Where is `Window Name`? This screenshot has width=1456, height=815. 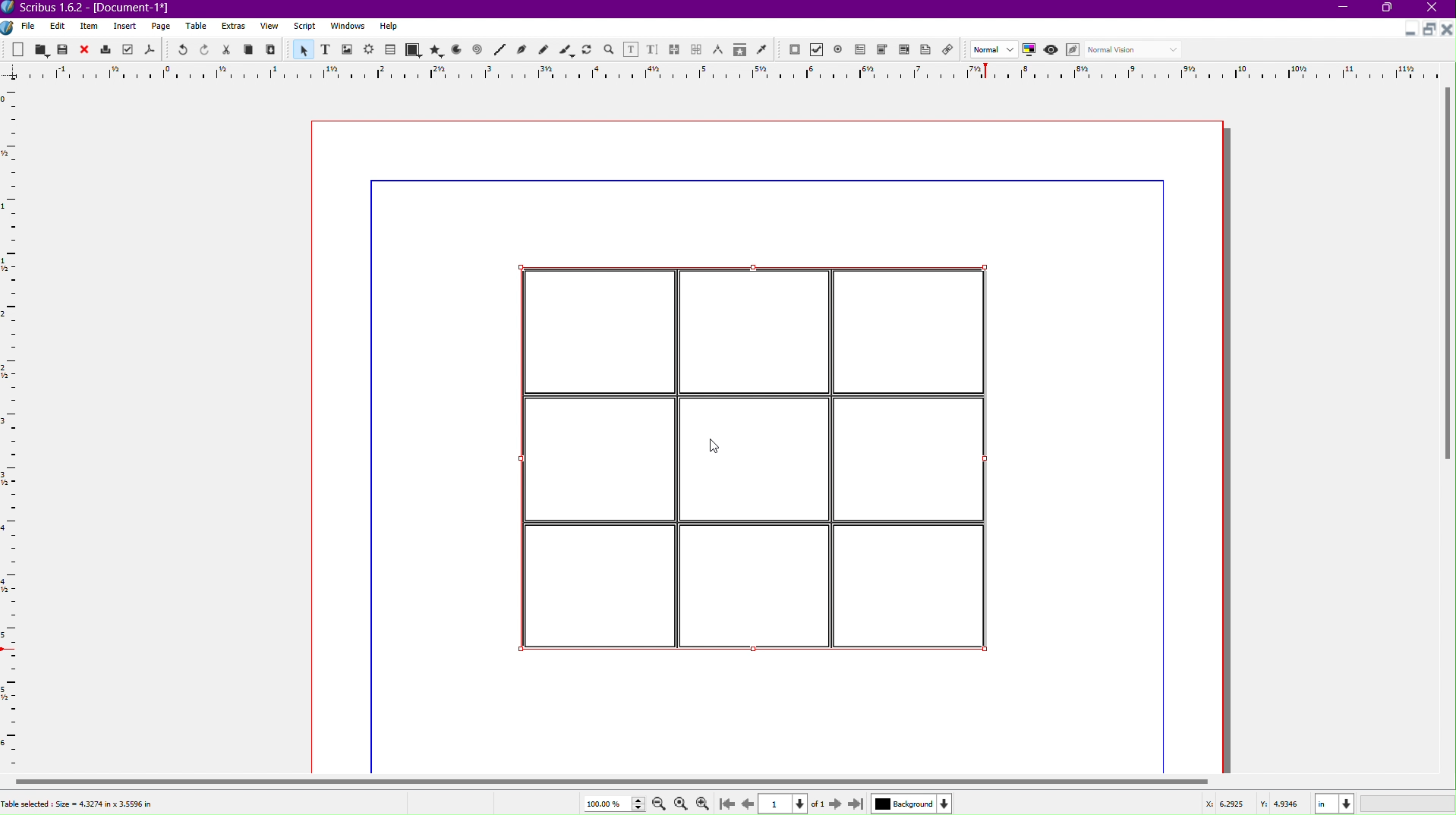 Window Name is located at coordinates (92, 8).